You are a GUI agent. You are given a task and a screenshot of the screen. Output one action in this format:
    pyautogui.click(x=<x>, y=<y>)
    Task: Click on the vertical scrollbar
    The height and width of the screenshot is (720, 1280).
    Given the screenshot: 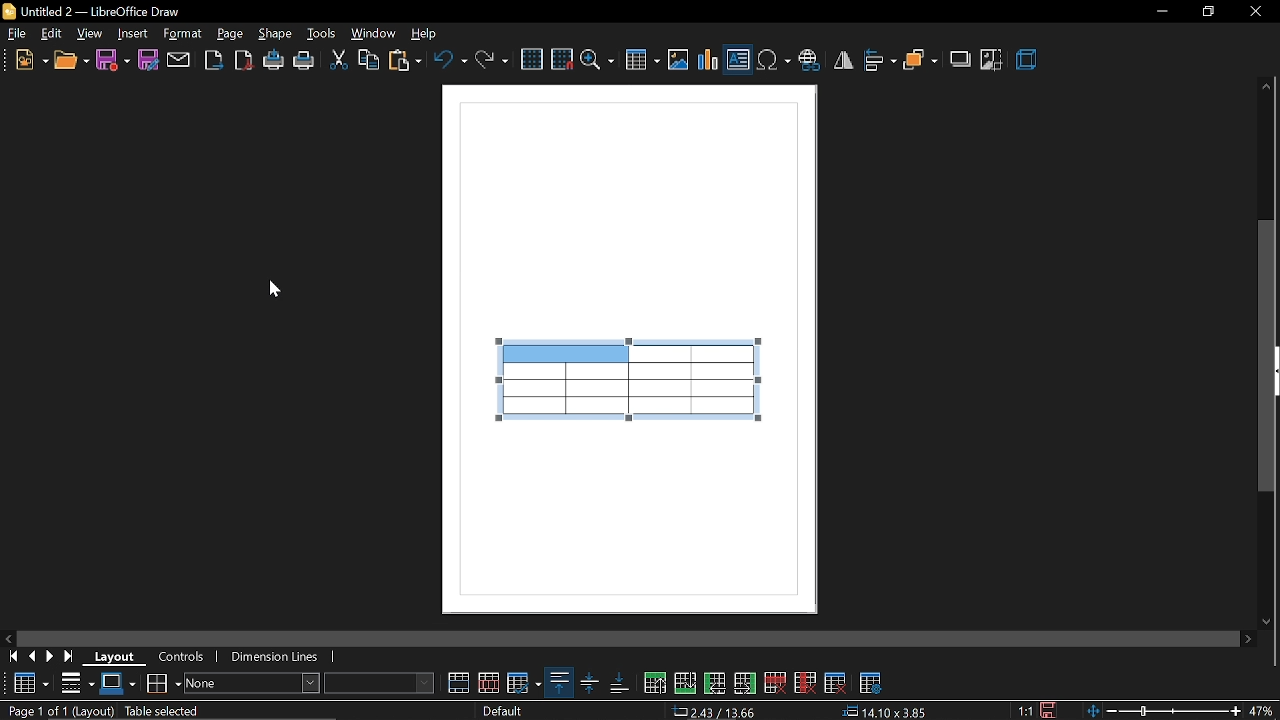 What is the action you would take?
    pyautogui.click(x=1267, y=356)
    